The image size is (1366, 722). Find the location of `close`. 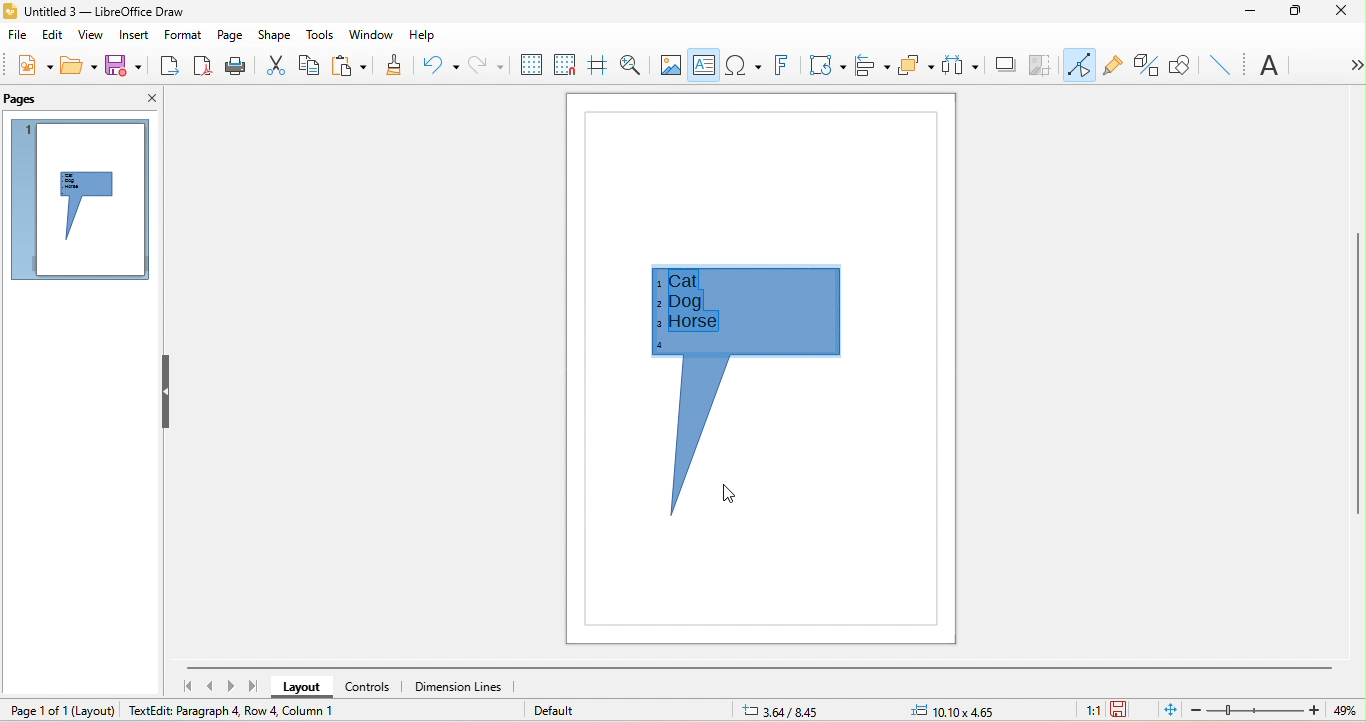

close is located at coordinates (146, 96).